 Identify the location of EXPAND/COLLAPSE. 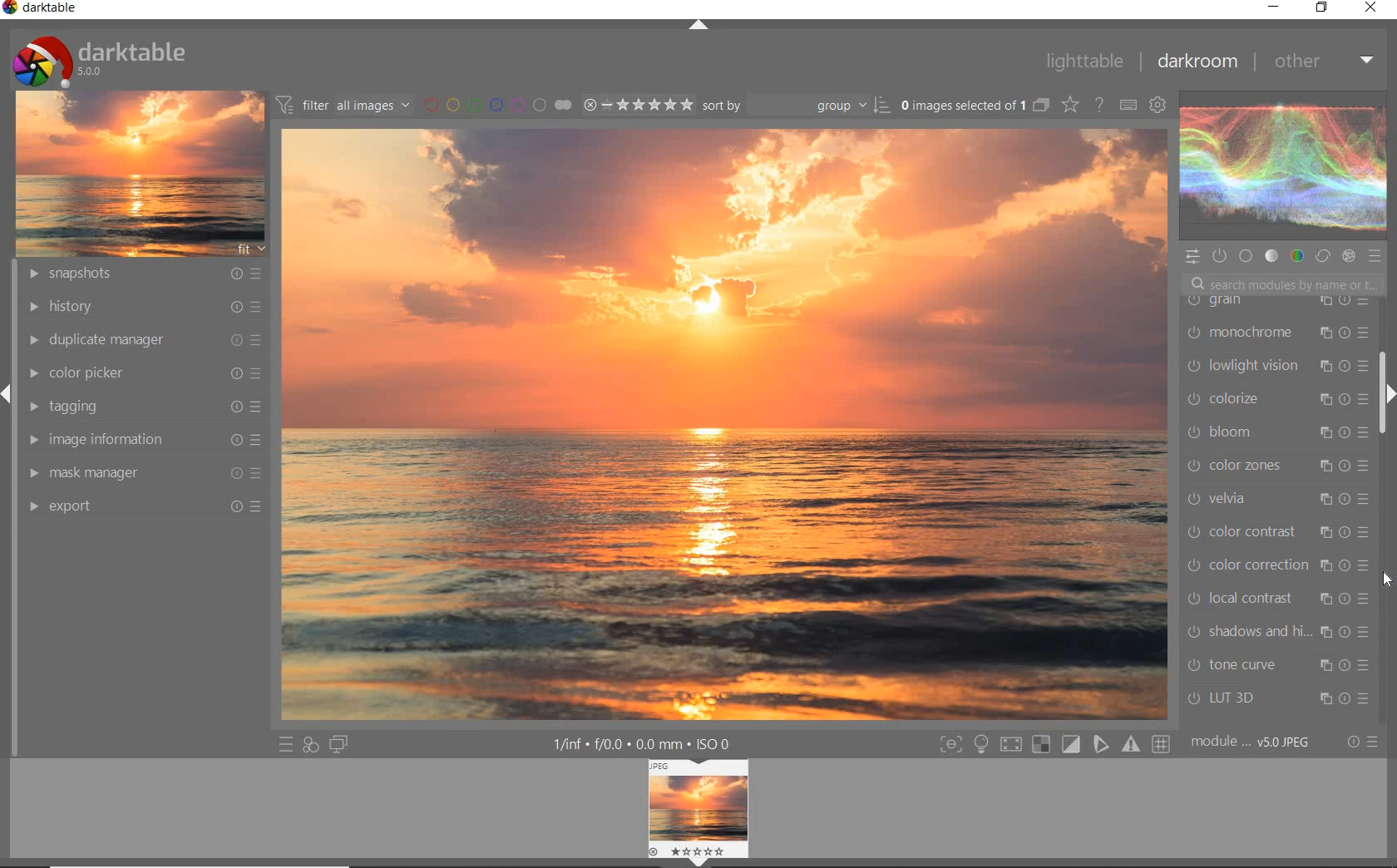
(698, 26).